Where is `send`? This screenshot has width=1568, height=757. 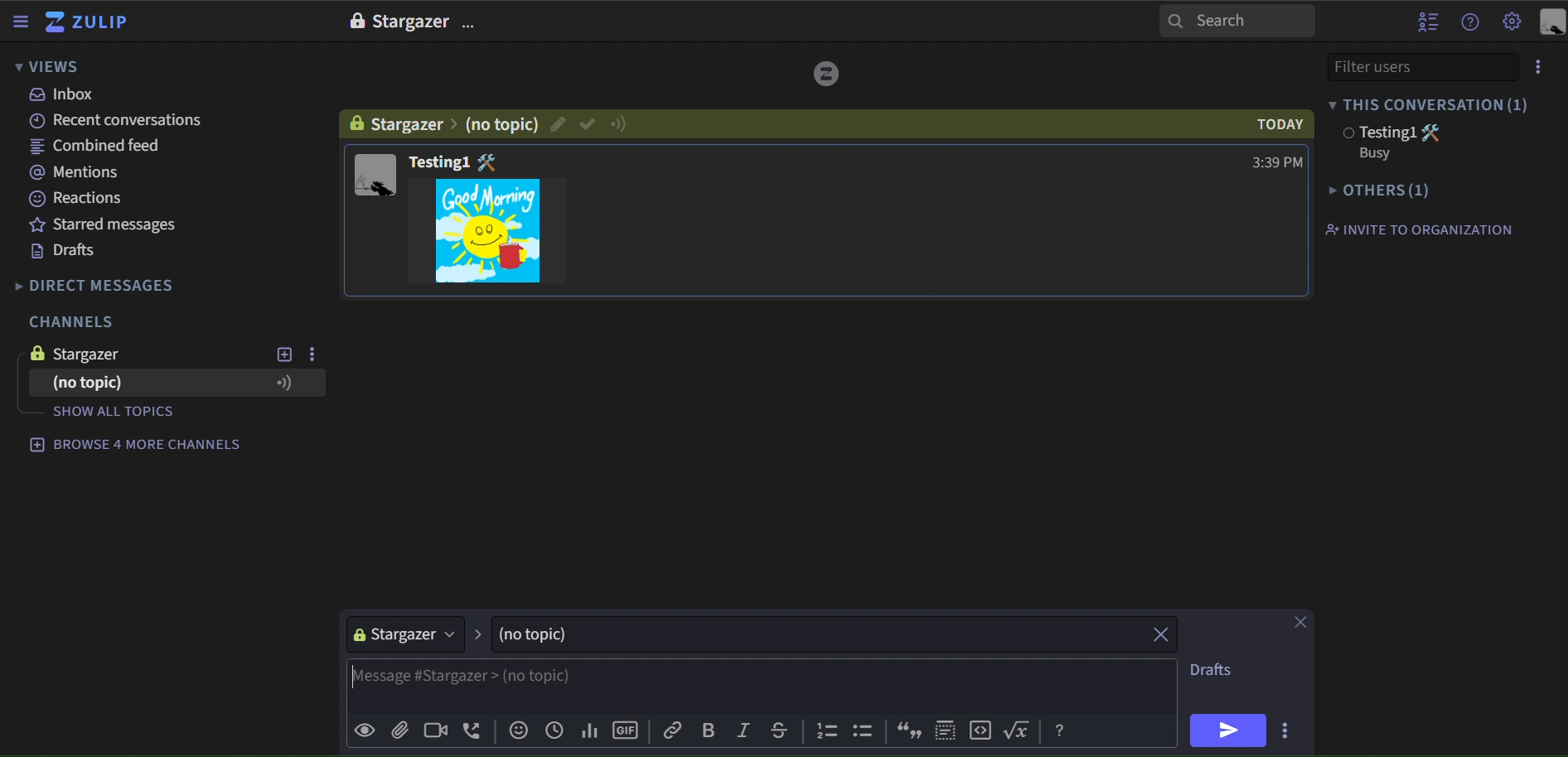
send is located at coordinates (1228, 730).